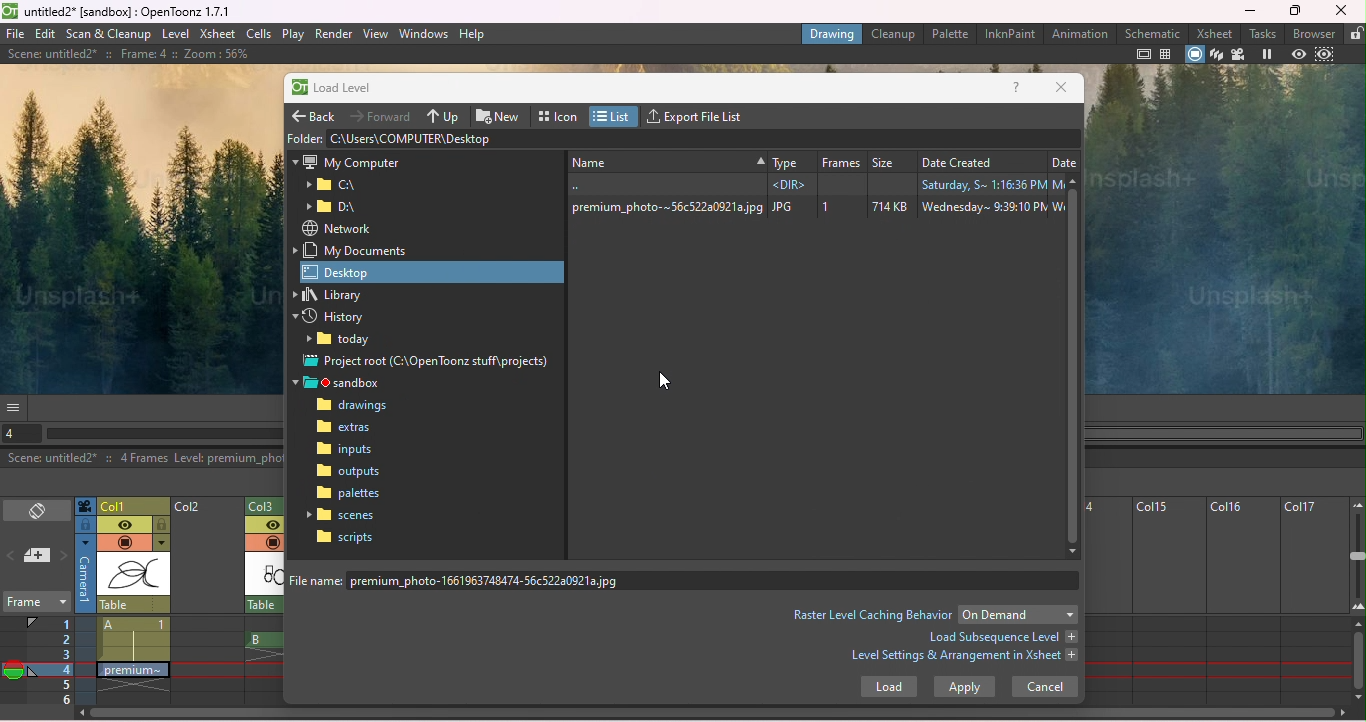 The width and height of the screenshot is (1366, 722). What do you see at coordinates (1225, 231) in the screenshot?
I see `background image` at bounding box center [1225, 231].